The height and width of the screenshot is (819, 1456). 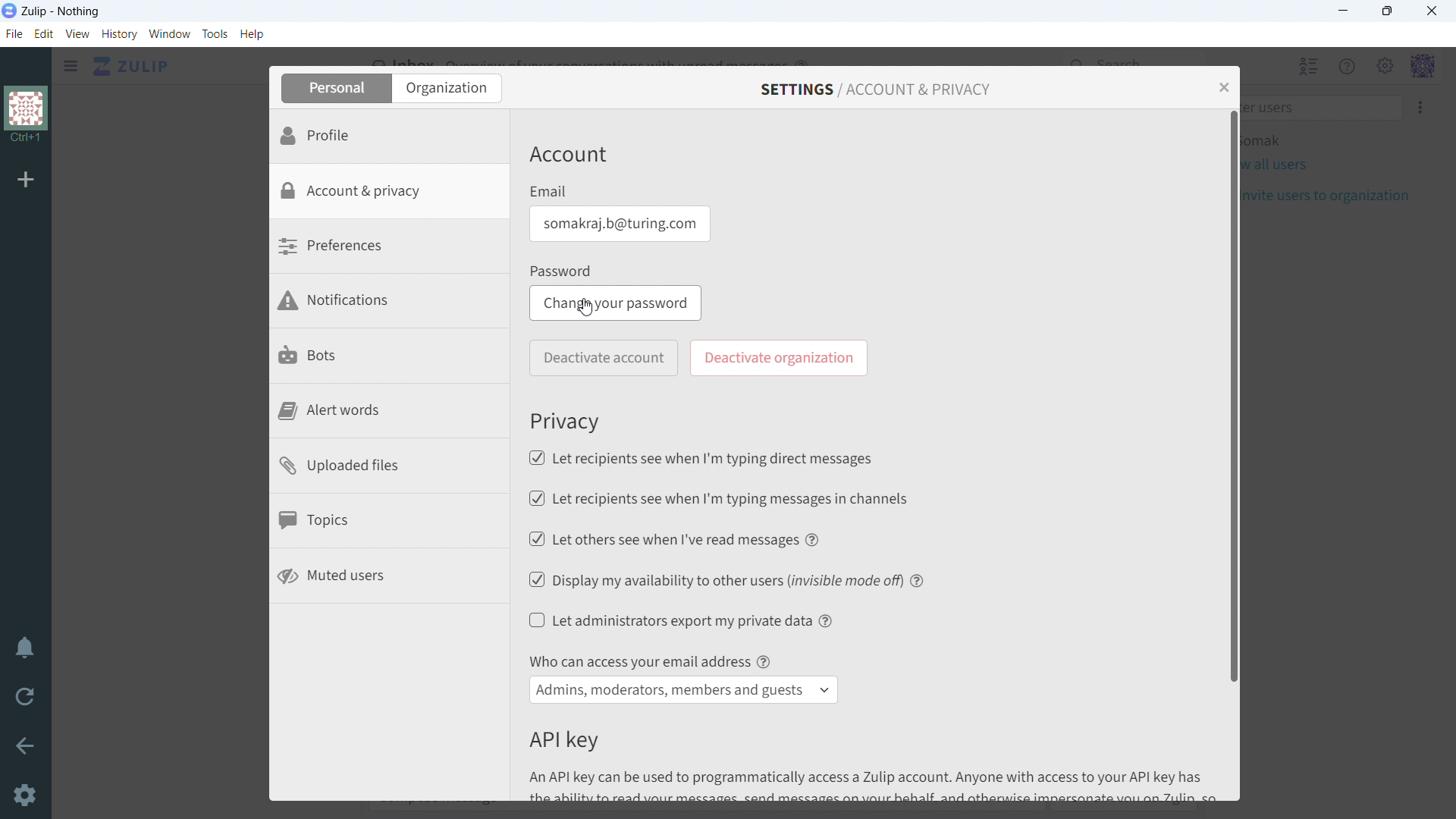 What do you see at coordinates (26, 744) in the screenshot?
I see `go back` at bounding box center [26, 744].